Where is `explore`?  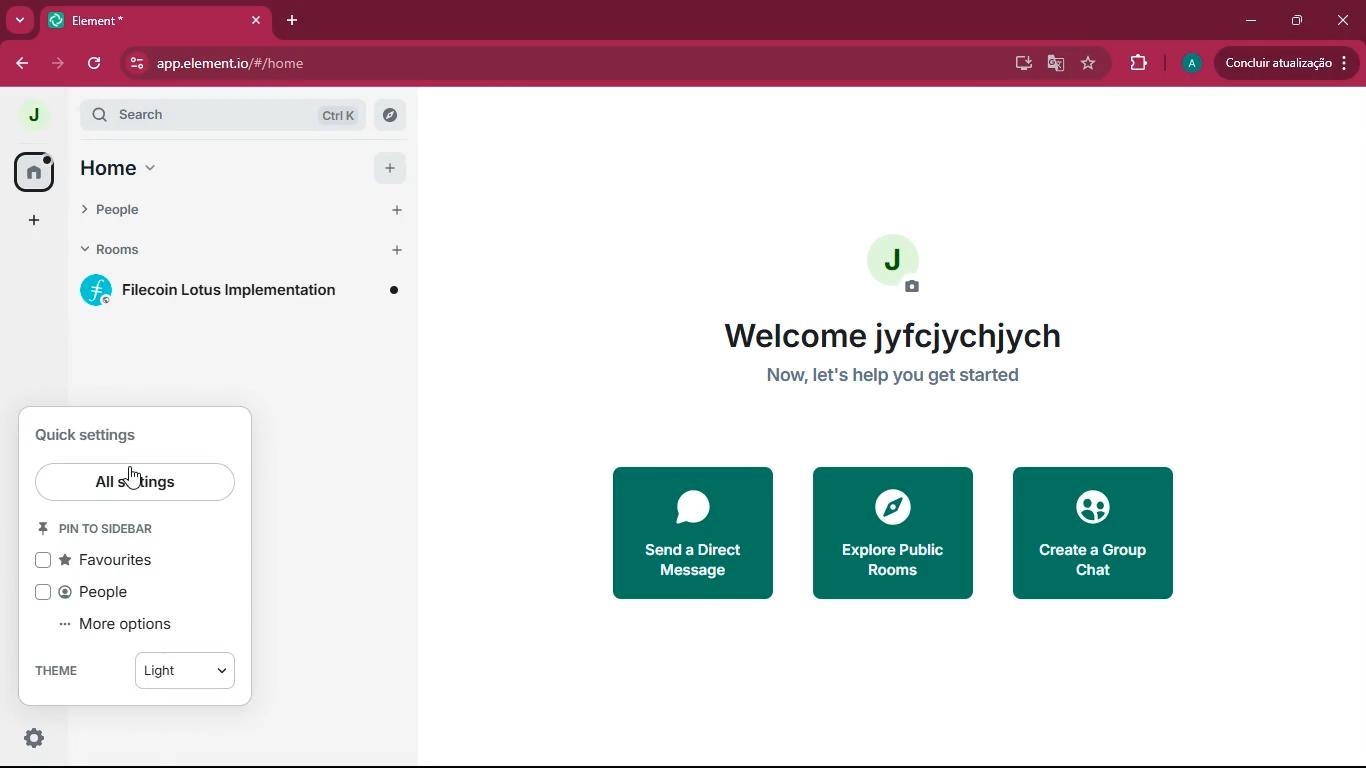
explore is located at coordinates (890, 532).